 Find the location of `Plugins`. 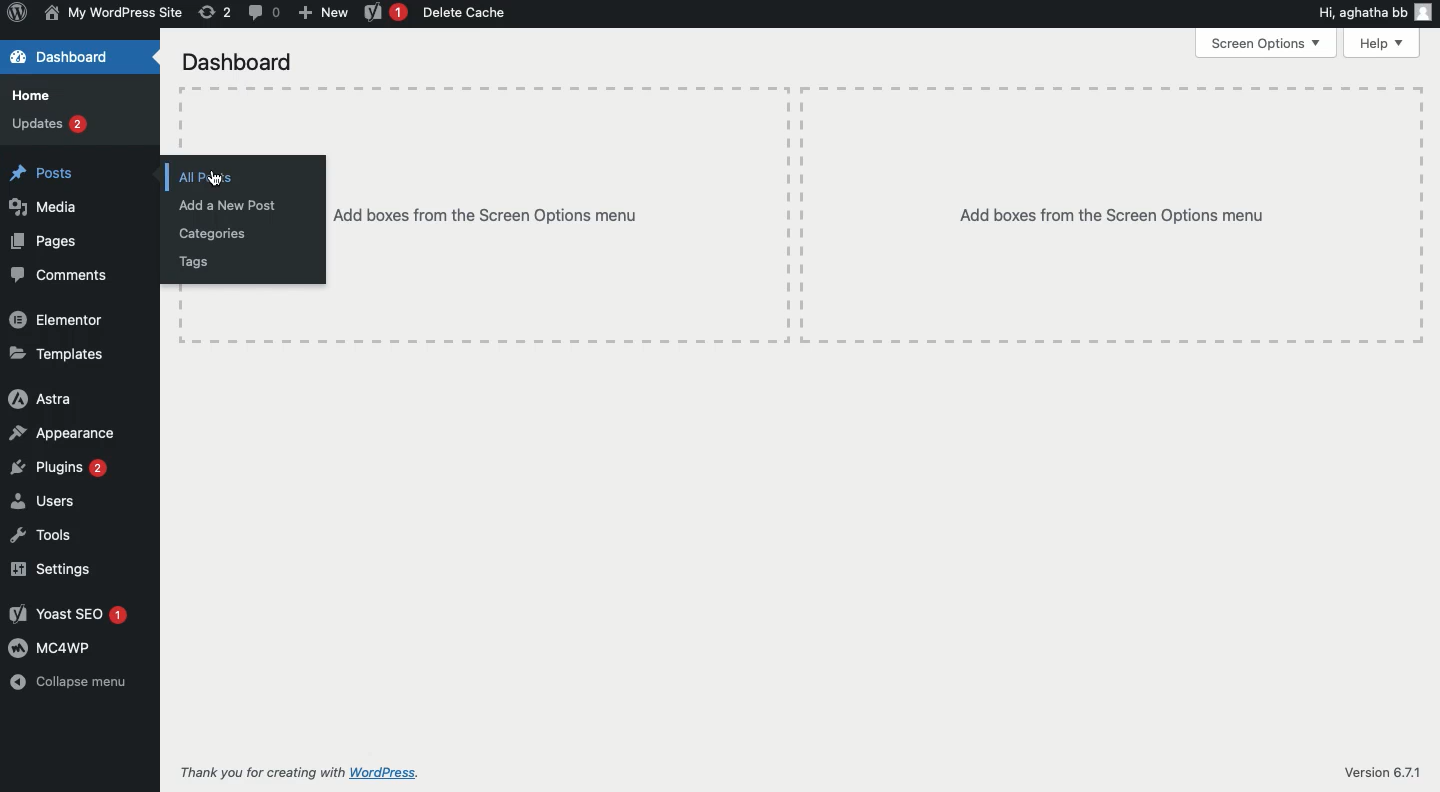

Plugins is located at coordinates (58, 468).